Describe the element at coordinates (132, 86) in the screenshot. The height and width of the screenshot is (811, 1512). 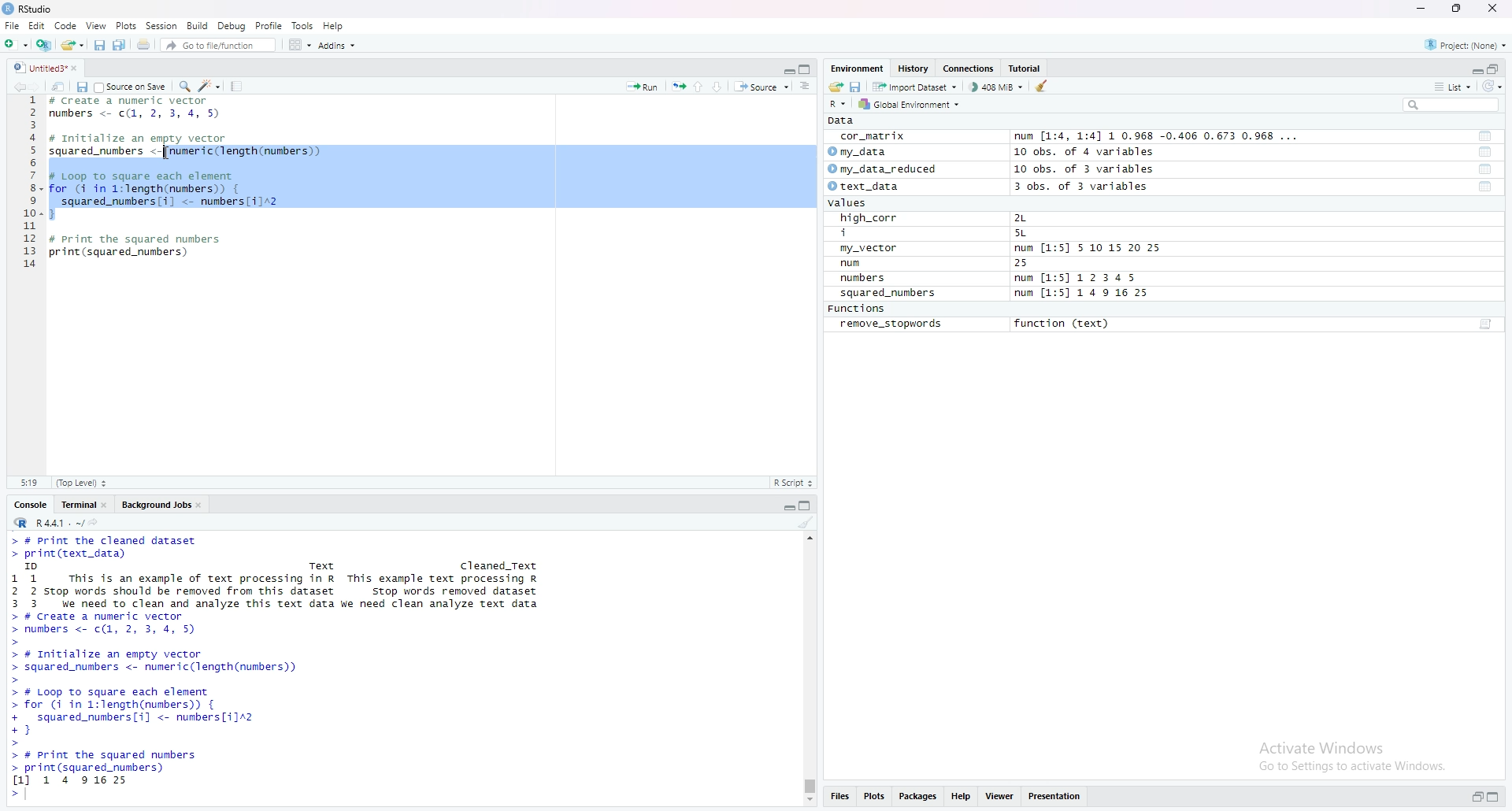
I see `Source on save` at that location.